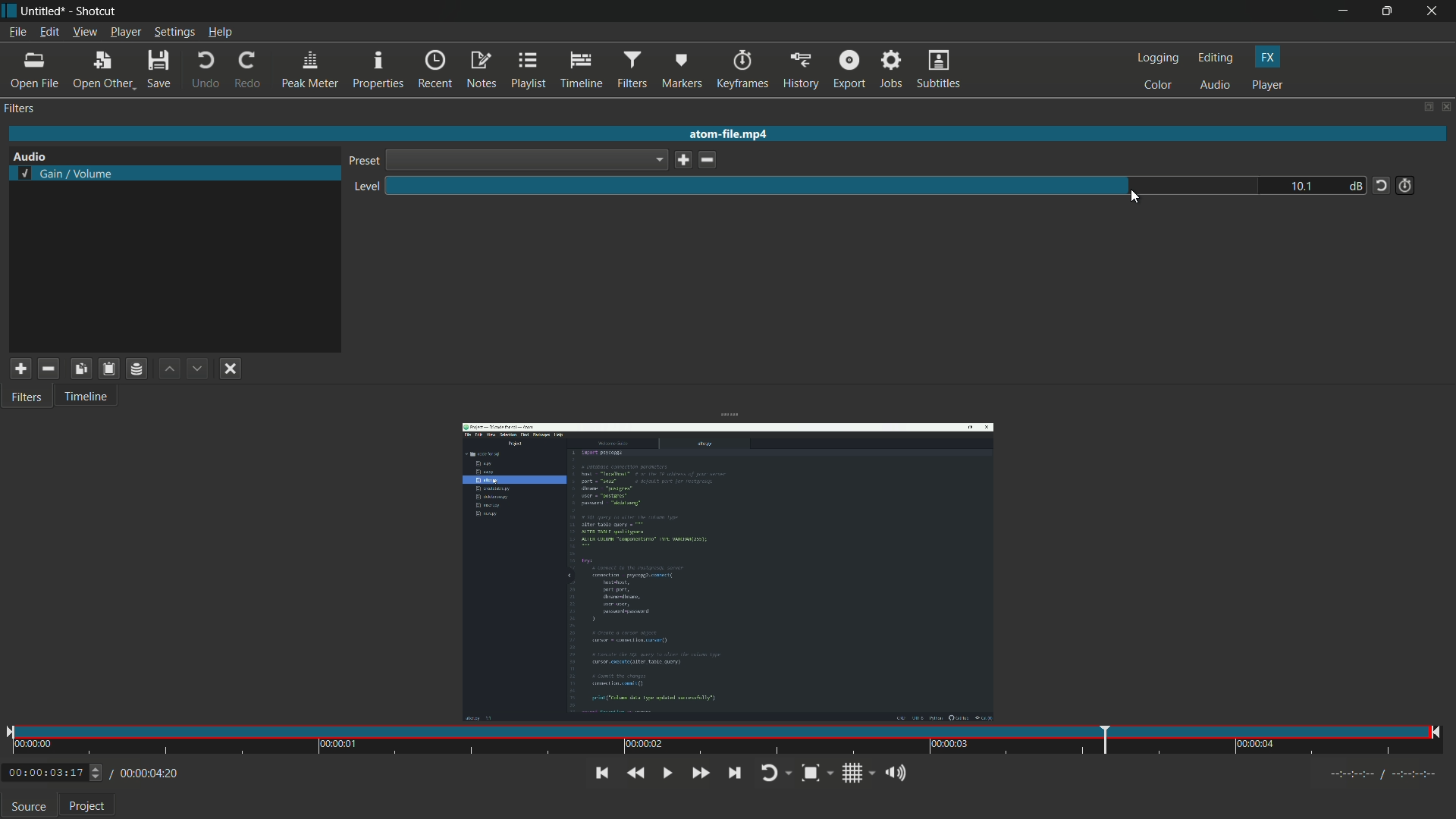 This screenshot has width=1456, height=819. I want to click on settings menu, so click(174, 32).